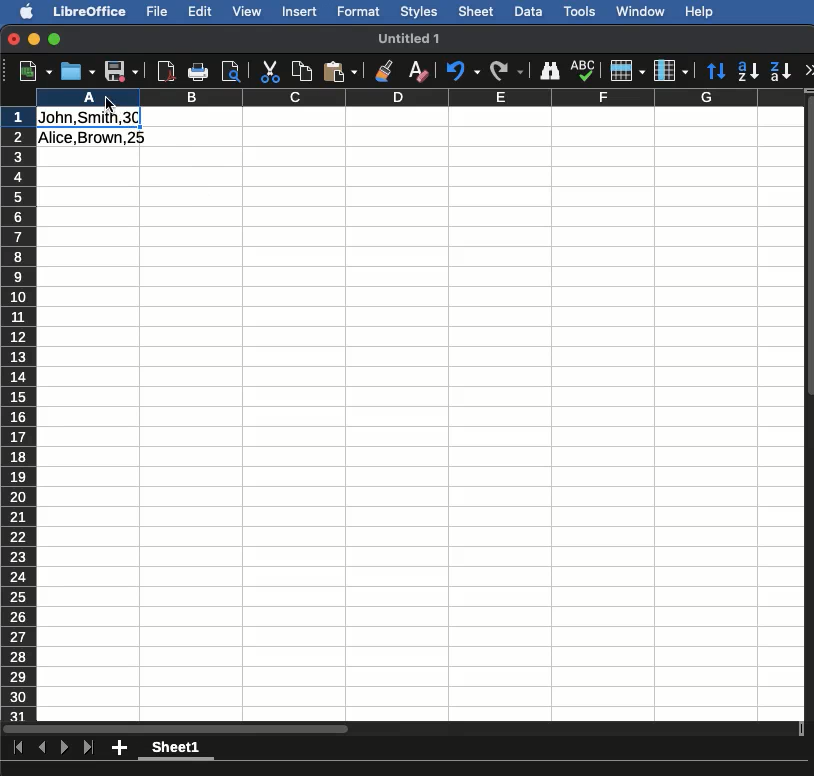  What do you see at coordinates (809, 69) in the screenshot?
I see `More` at bounding box center [809, 69].